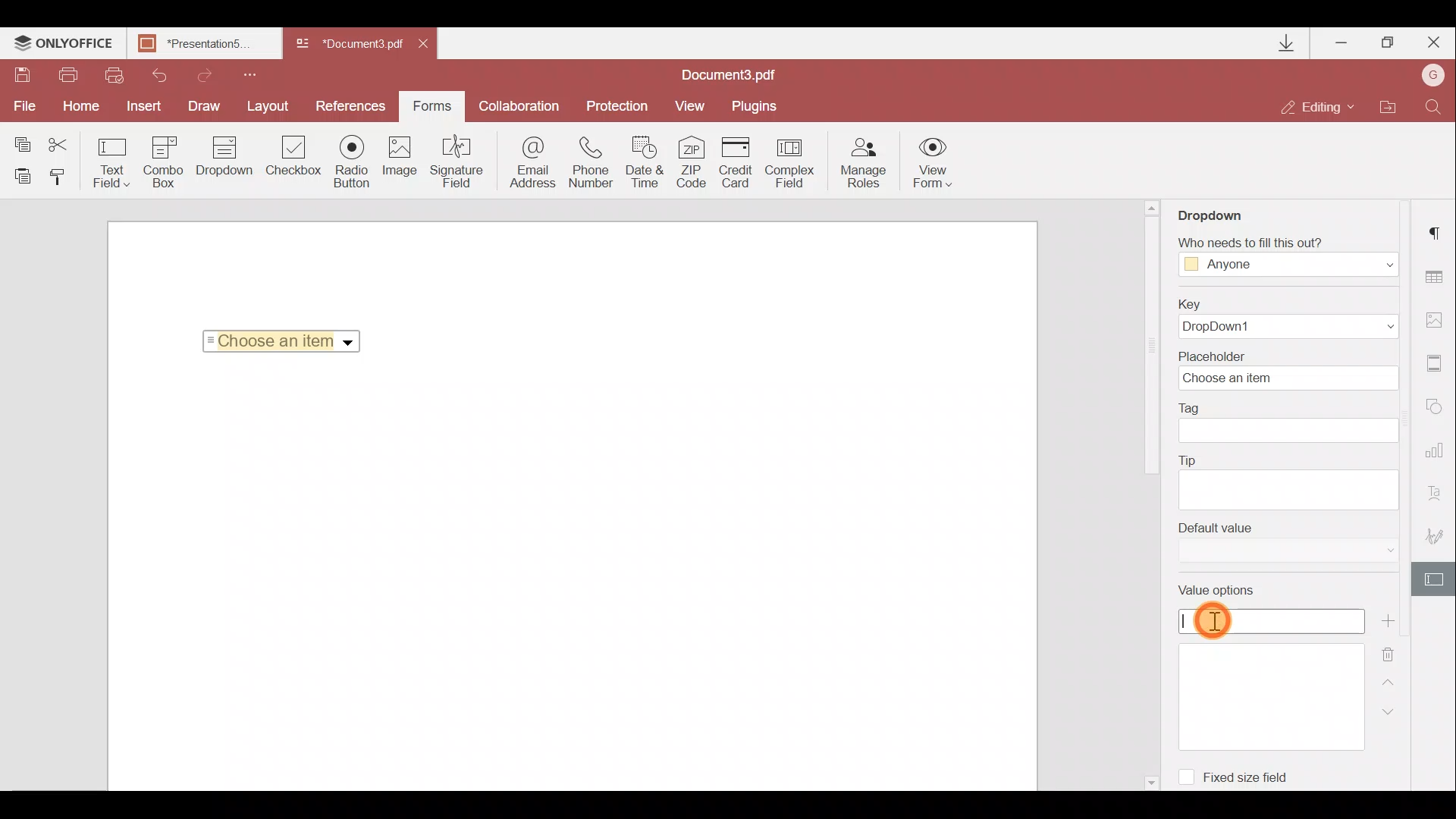 The width and height of the screenshot is (1456, 819). What do you see at coordinates (287, 338) in the screenshot?
I see `Choose an item ` at bounding box center [287, 338].